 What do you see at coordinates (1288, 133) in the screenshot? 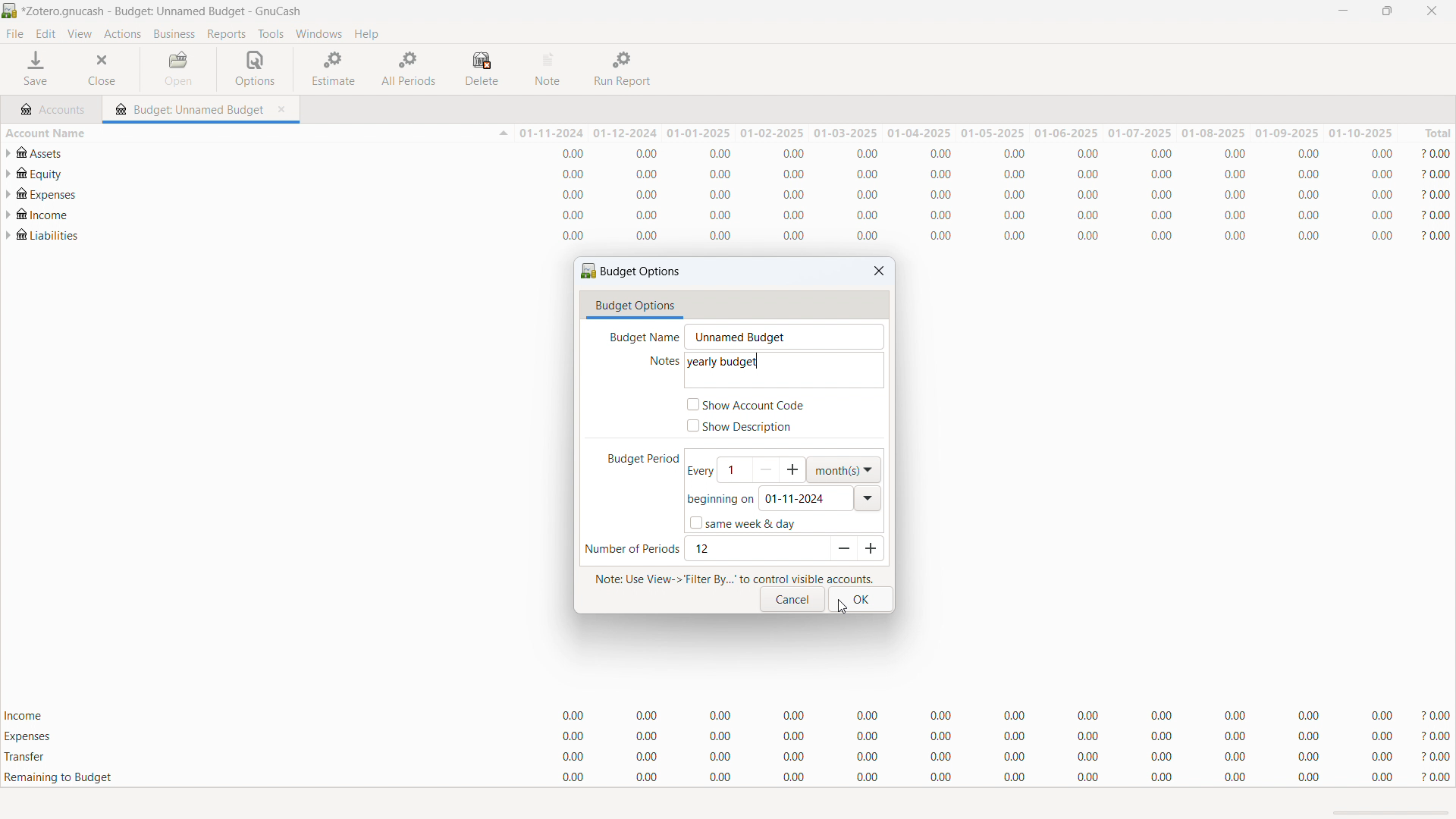
I see `01-09-2025` at bounding box center [1288, 133].